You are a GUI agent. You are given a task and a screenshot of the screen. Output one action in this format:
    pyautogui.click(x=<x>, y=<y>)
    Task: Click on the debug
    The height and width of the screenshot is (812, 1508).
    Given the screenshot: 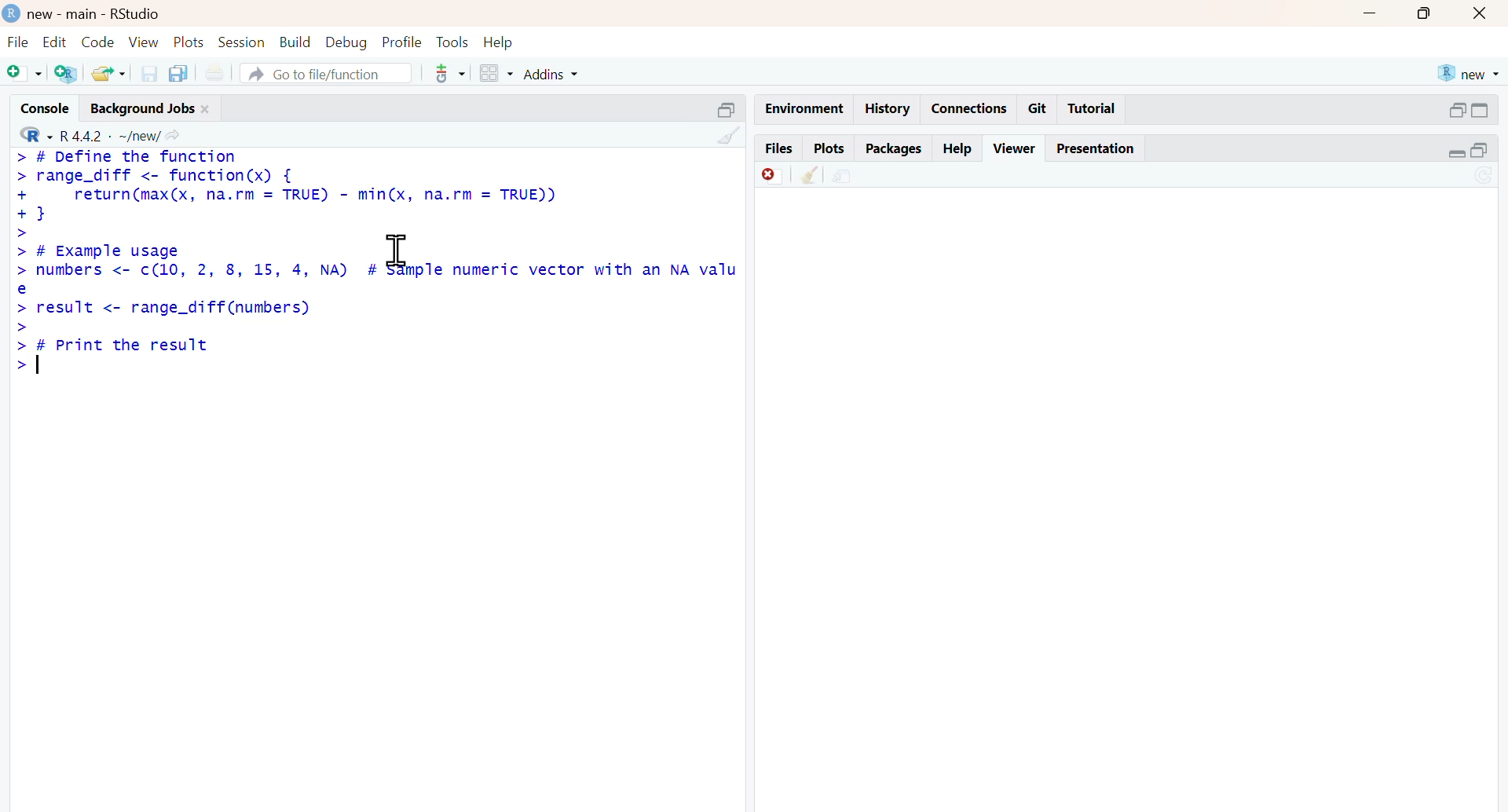 What is the action you would take?
    pyautogui.click(x=347, y=43)
    